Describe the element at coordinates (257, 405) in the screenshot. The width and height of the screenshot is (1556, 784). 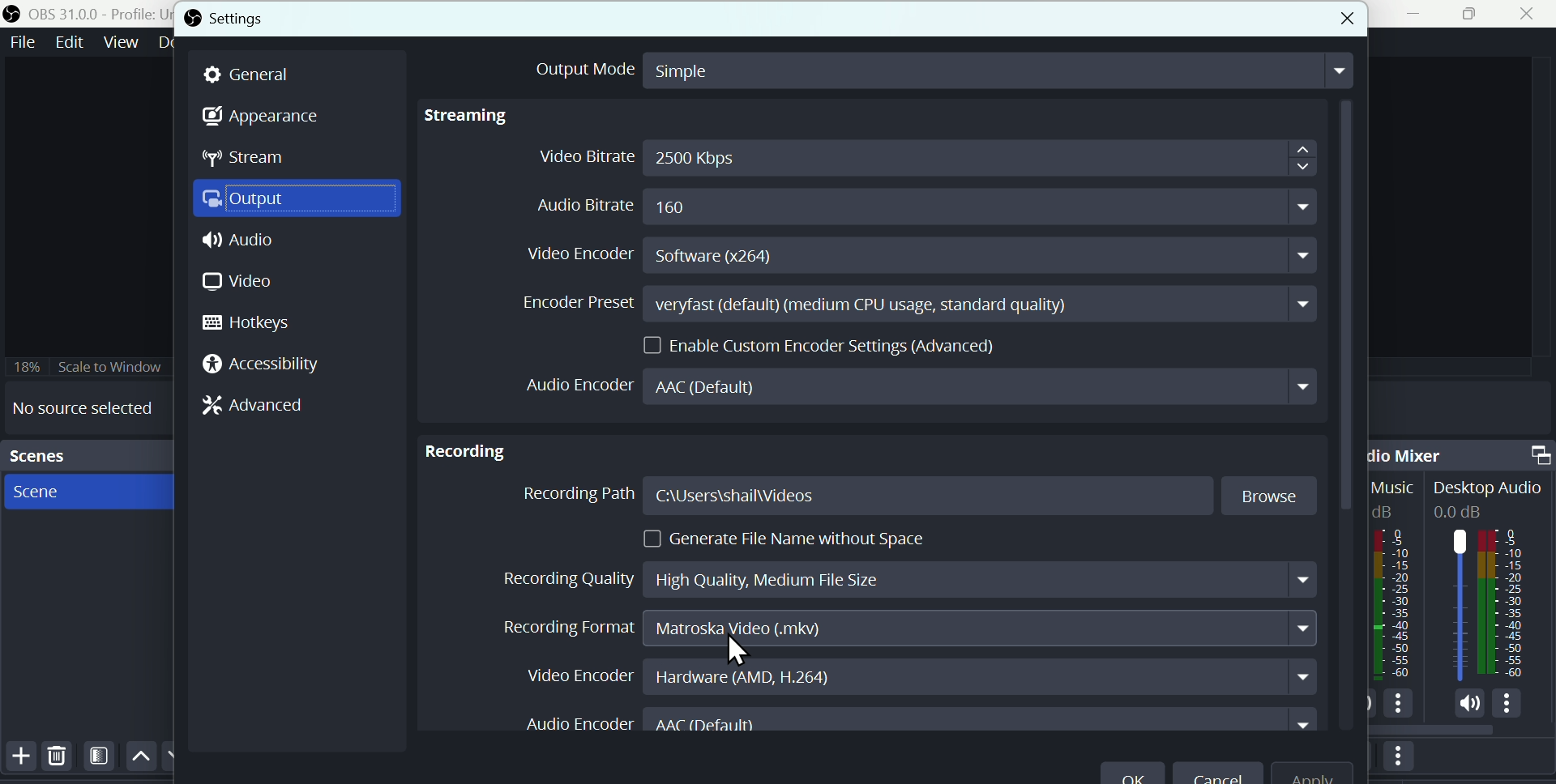
I see `Advanced` at that location.